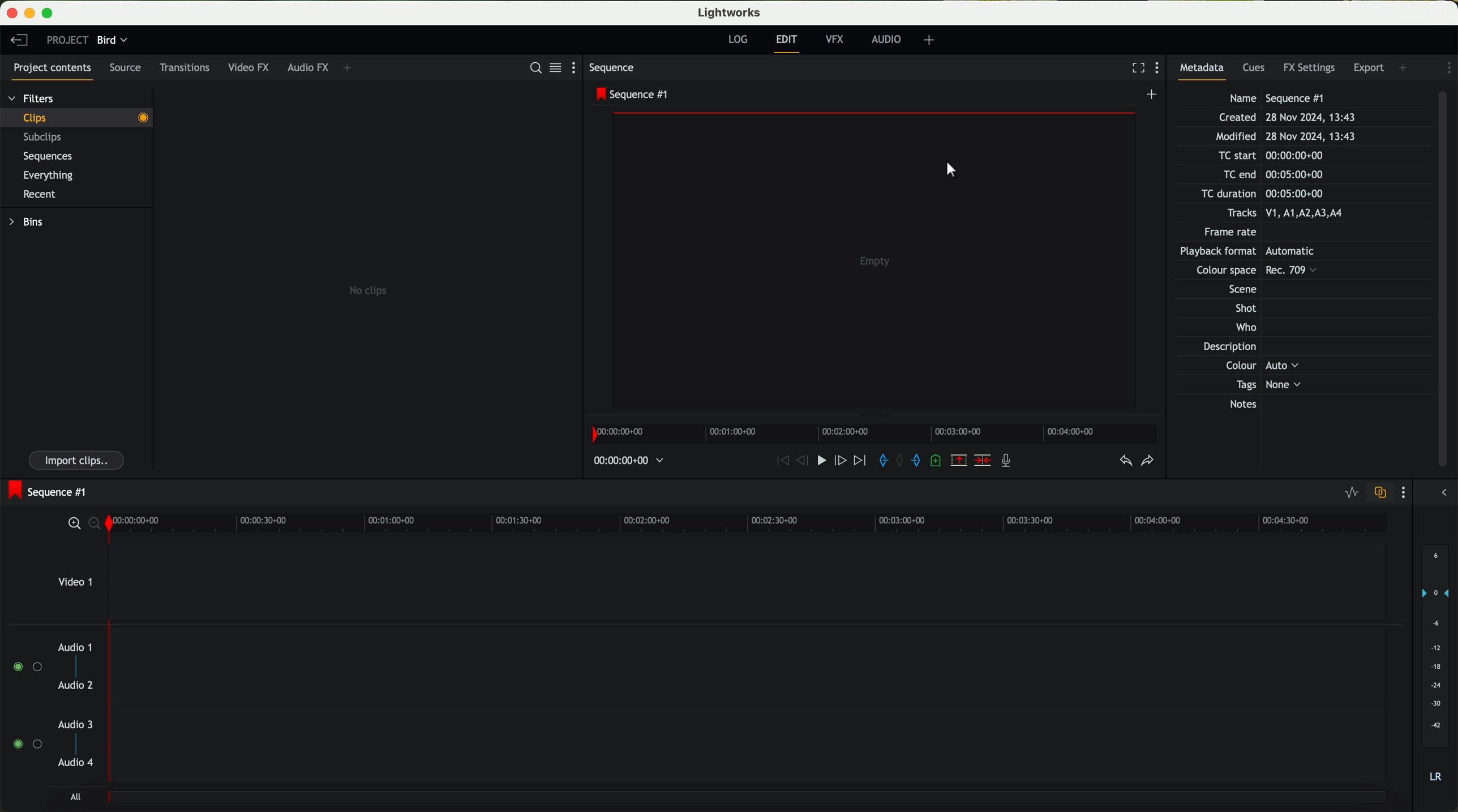 The width and height of the screenshot is (1458, 812). Describe the element at coordinates (873, 433) in the screenshot. I see `timeline` at that location.